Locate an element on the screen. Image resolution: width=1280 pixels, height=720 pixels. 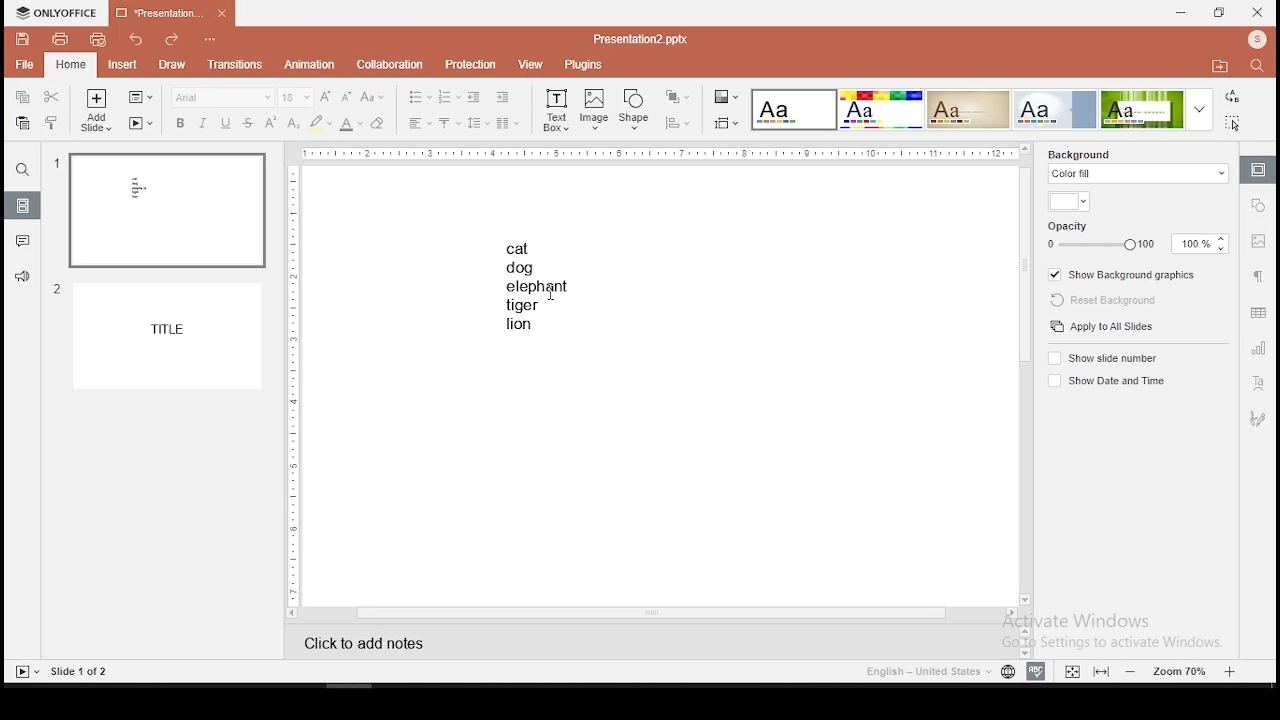
show slide number on/off is located at coordinates (1120, 358).